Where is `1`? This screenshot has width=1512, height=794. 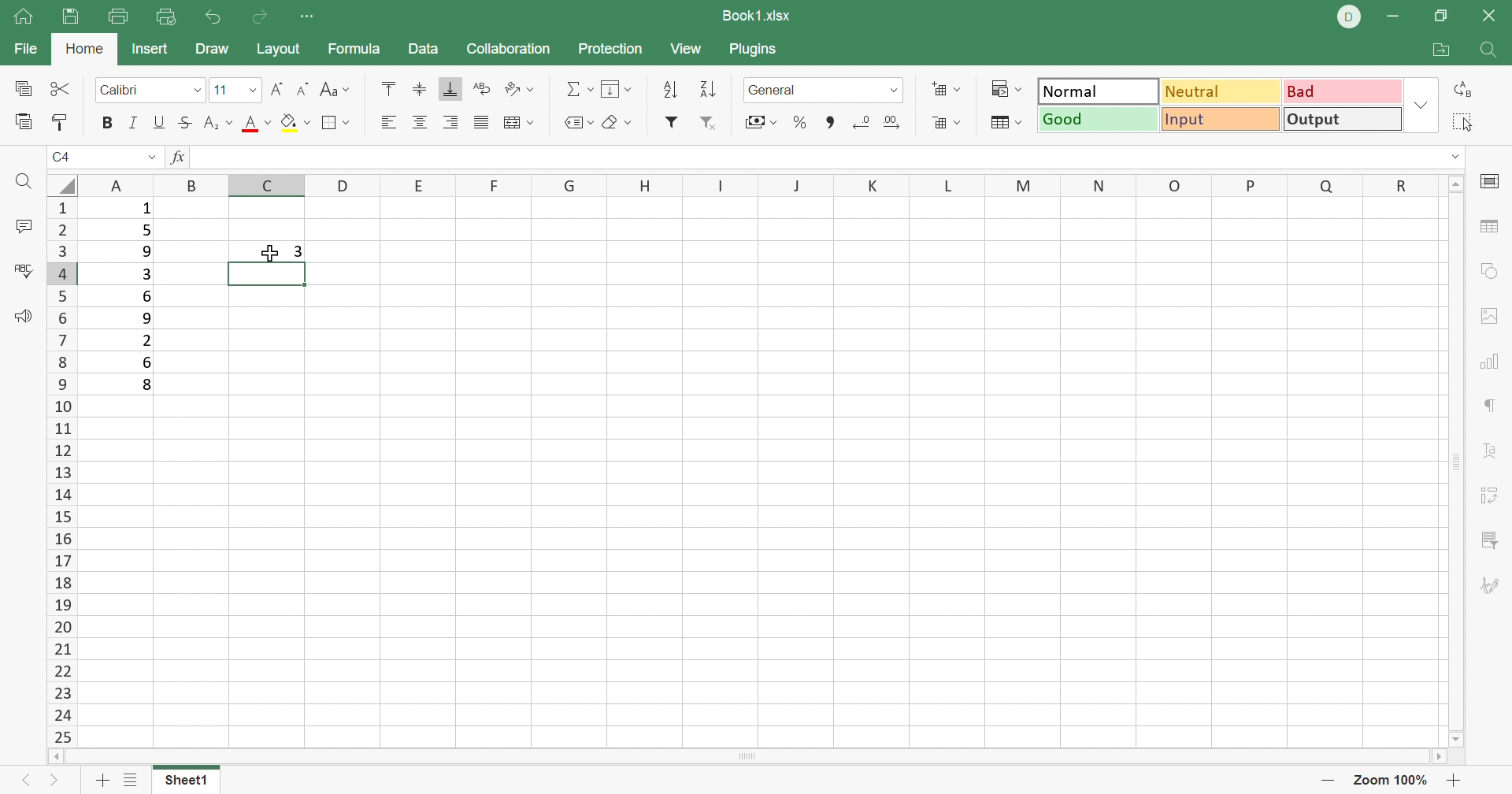
1 is located at coordinates (145, 210).